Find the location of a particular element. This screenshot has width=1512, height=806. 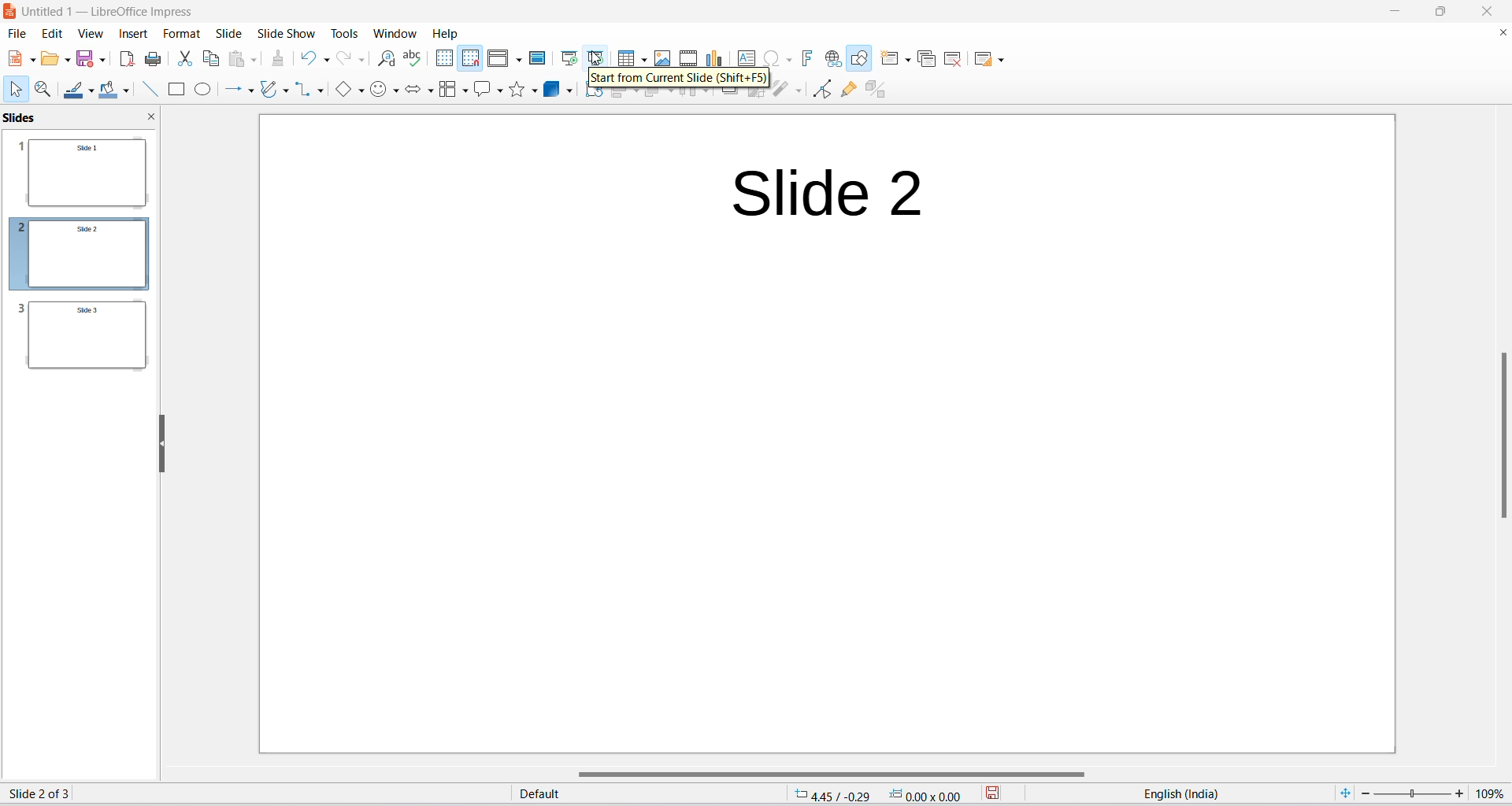

copy is located at coordinates (211, 60).